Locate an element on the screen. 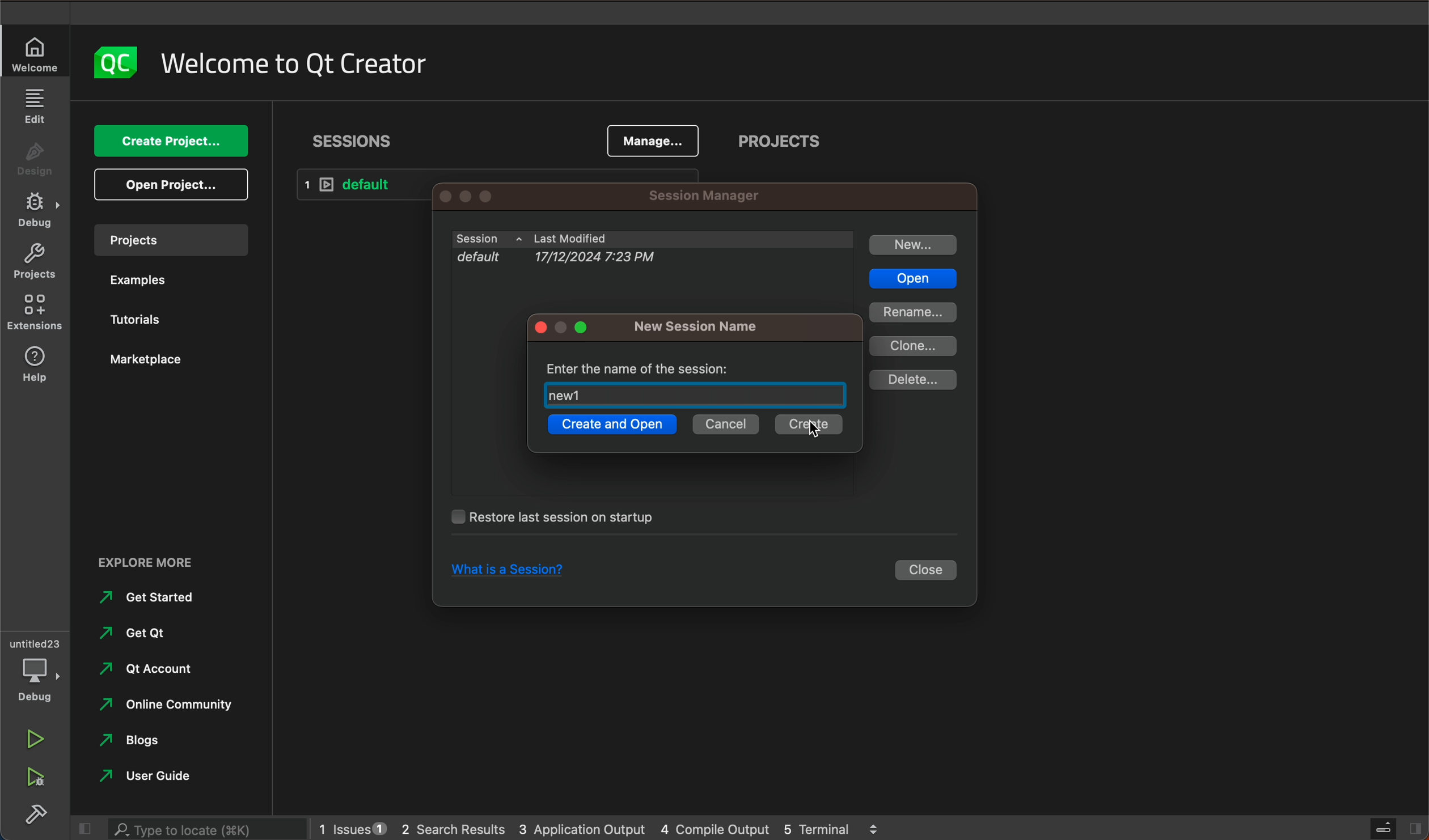 This screenshot has height=840, width=1429. name is located at coordinates (565, 395).